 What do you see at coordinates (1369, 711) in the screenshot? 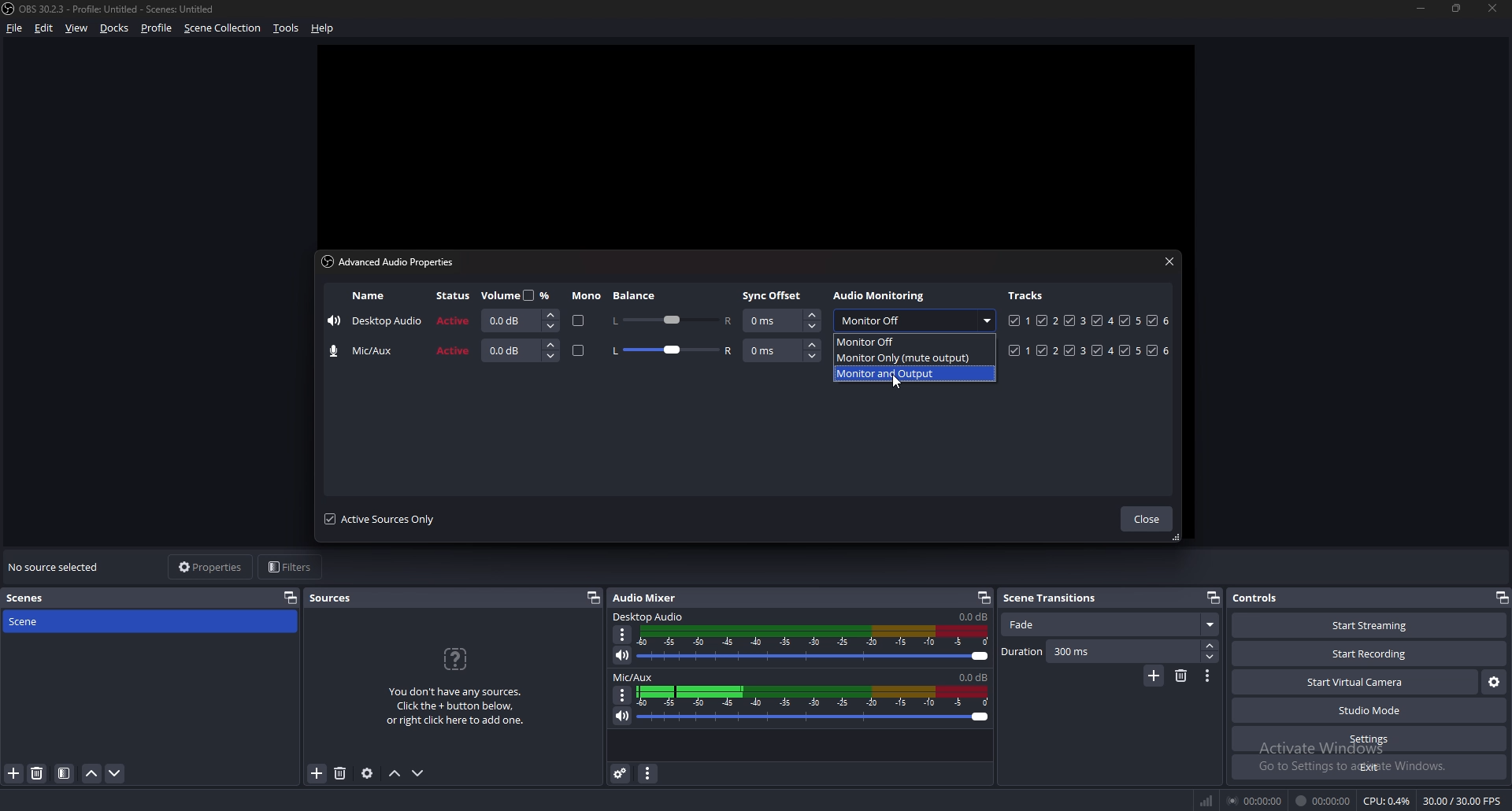
I see `studio mode` at bounding box center [1369, 711].